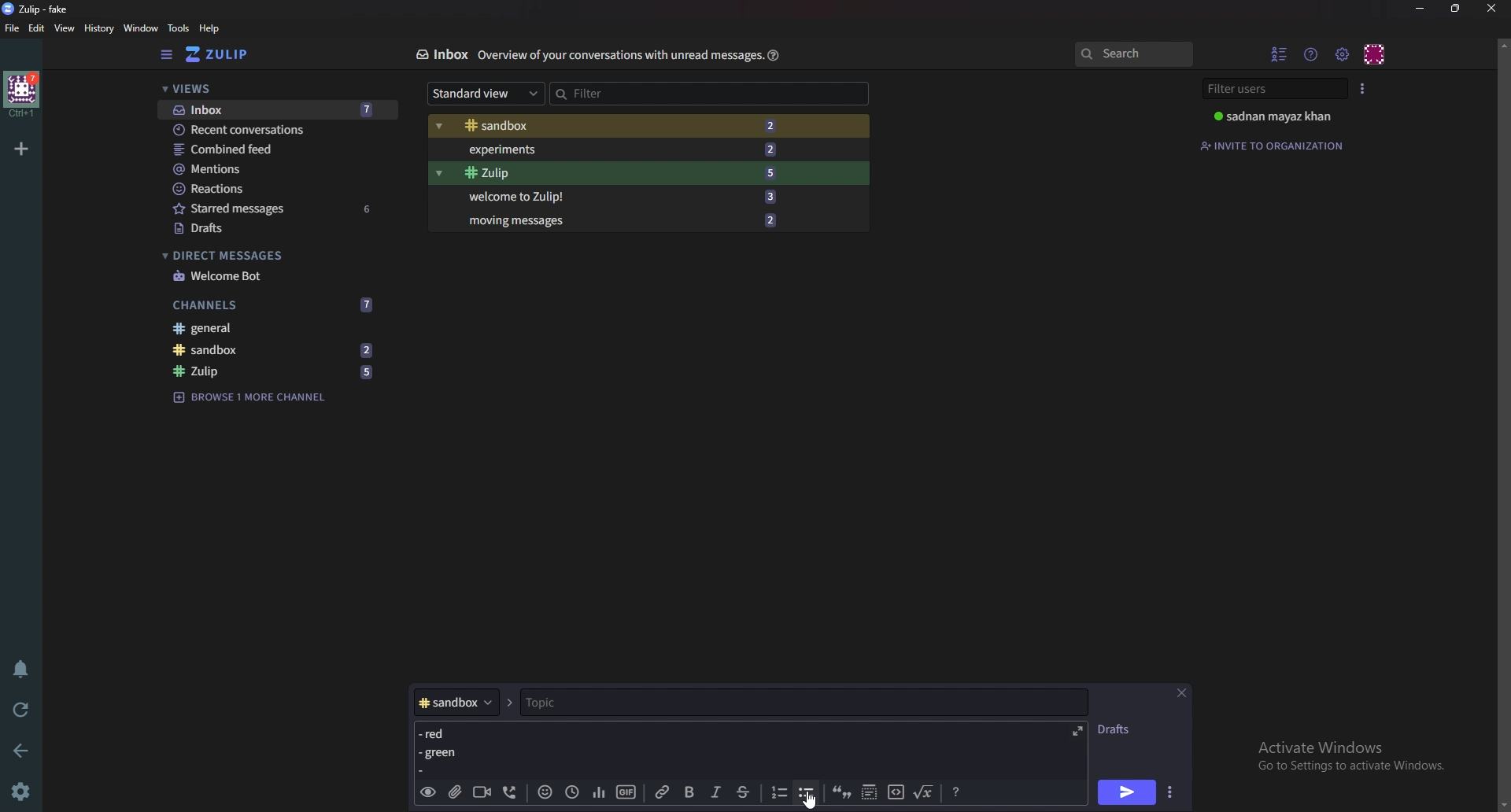  I want to click on Drafts, so click(275, 230).